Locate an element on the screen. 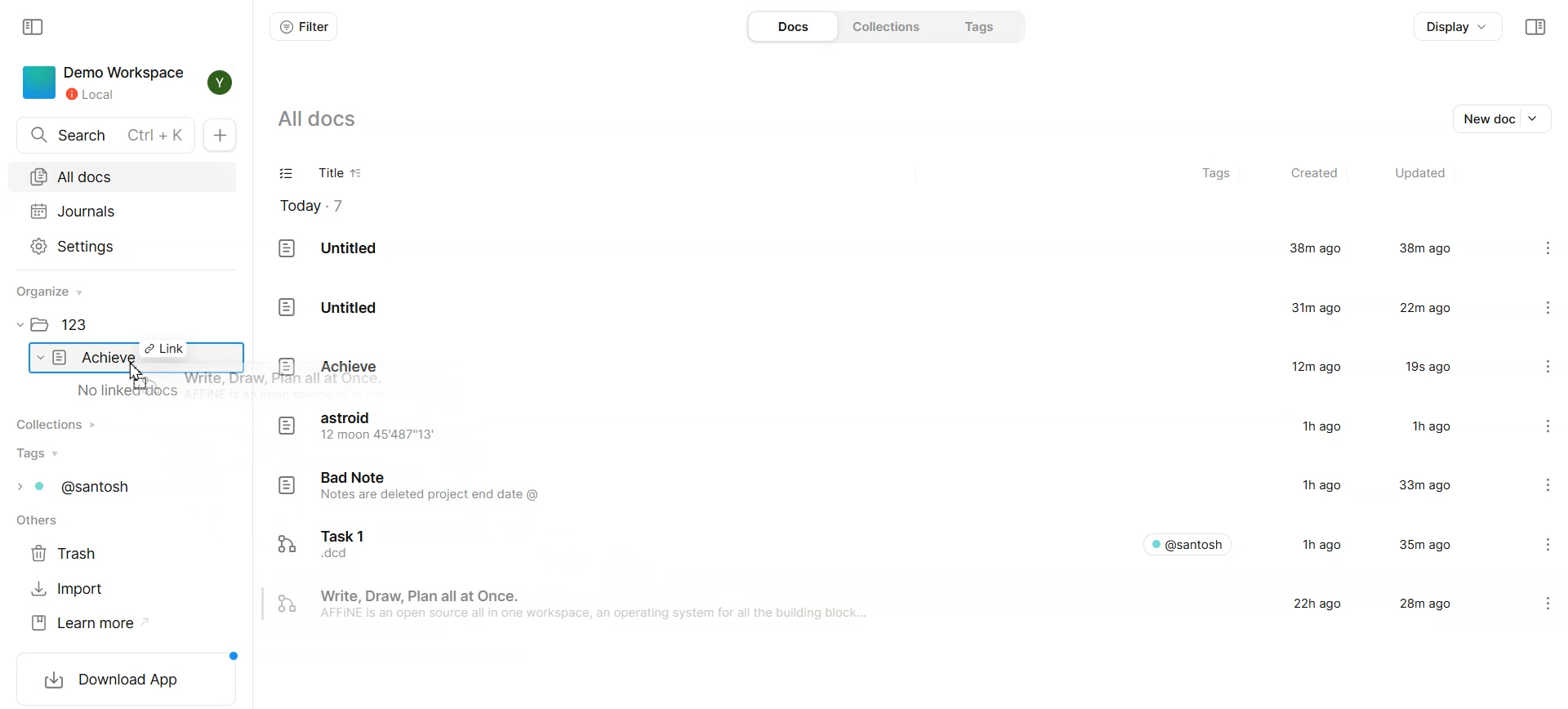  Tags  is located at coordinates (84, 487).